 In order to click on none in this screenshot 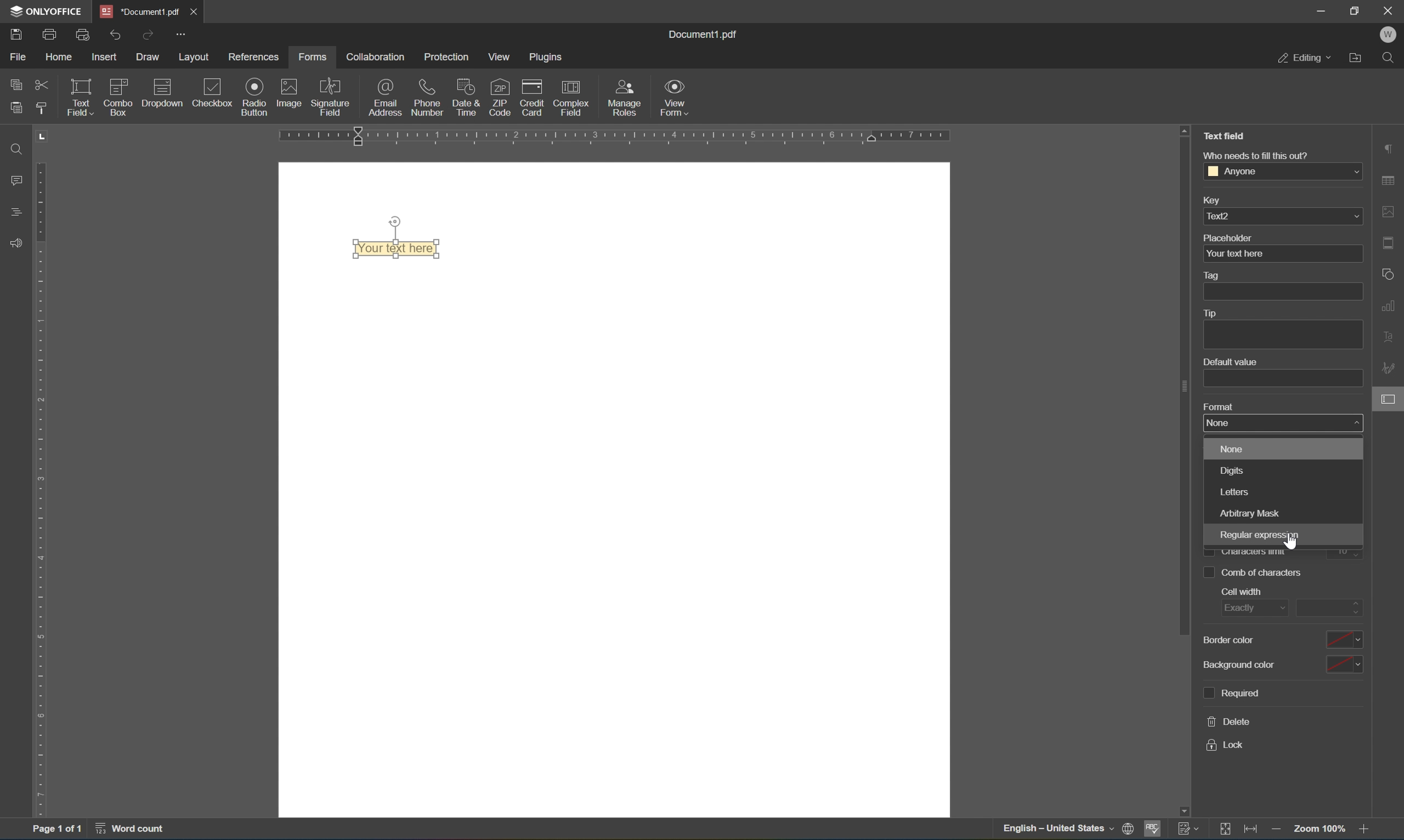, I will do `click(1219, 422)`.